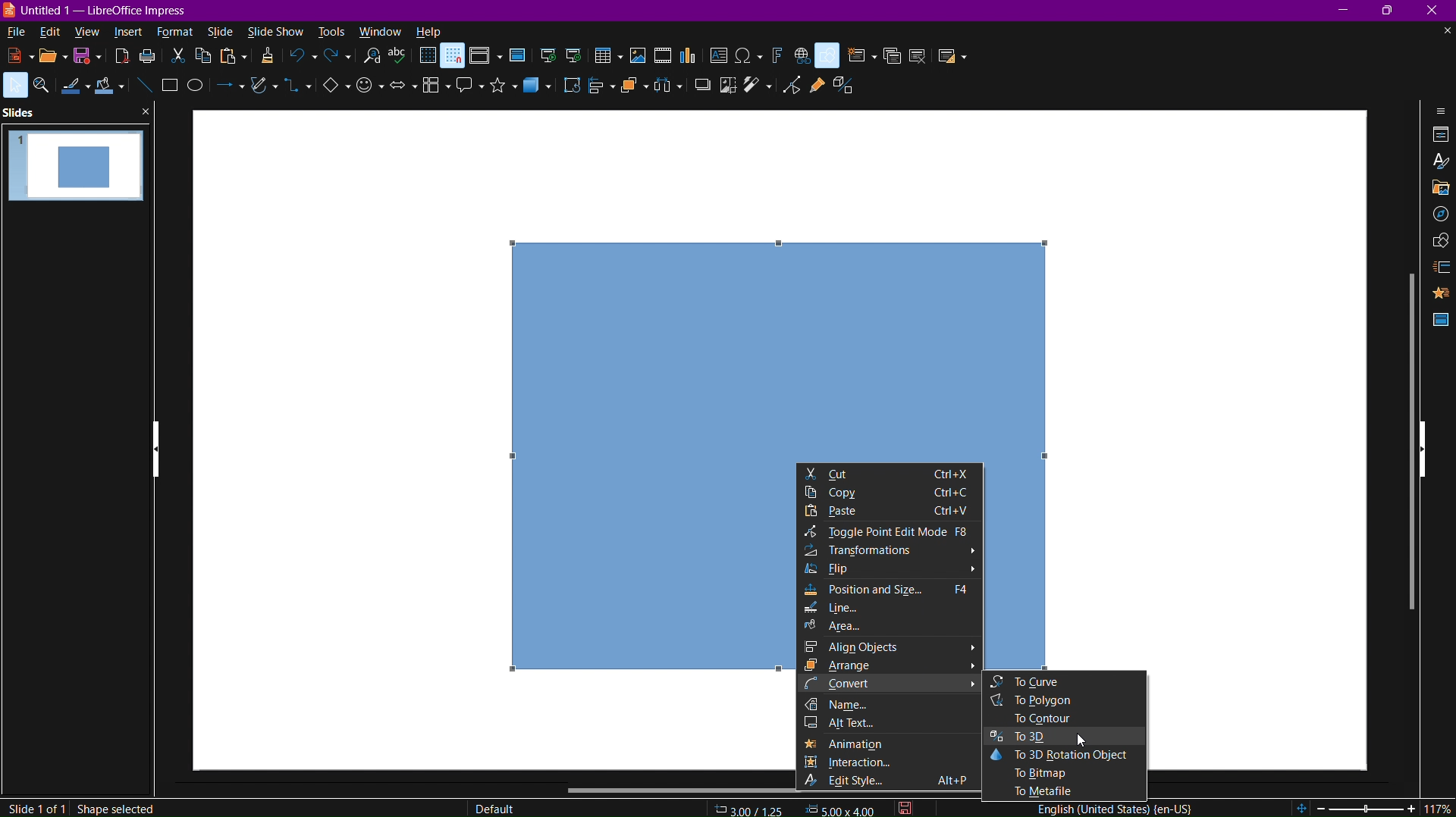  I want to click on Basic Shapes, so click(330, 91).